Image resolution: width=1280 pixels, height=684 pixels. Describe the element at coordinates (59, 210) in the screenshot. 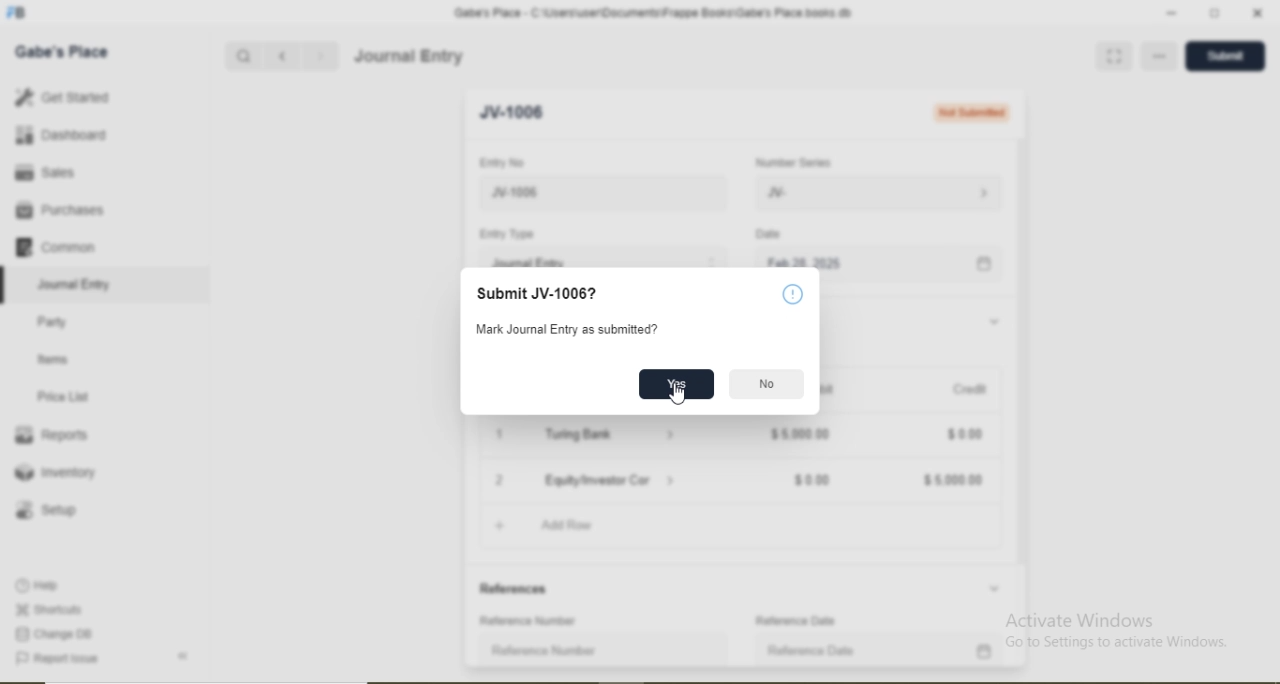

I see `Purchases` at that location.